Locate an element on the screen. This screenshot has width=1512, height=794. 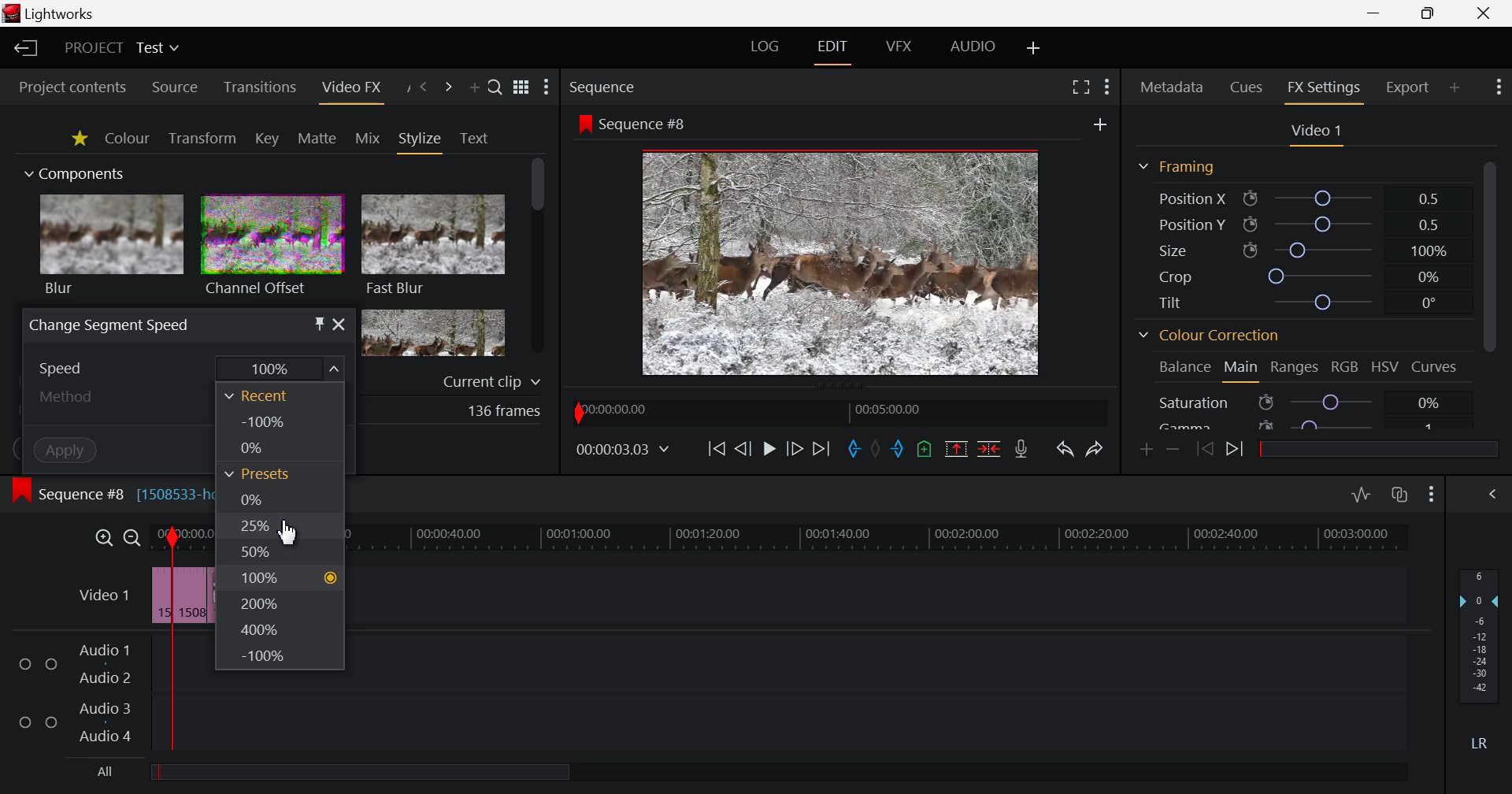
Crop is located at coordinates (1299, 275).